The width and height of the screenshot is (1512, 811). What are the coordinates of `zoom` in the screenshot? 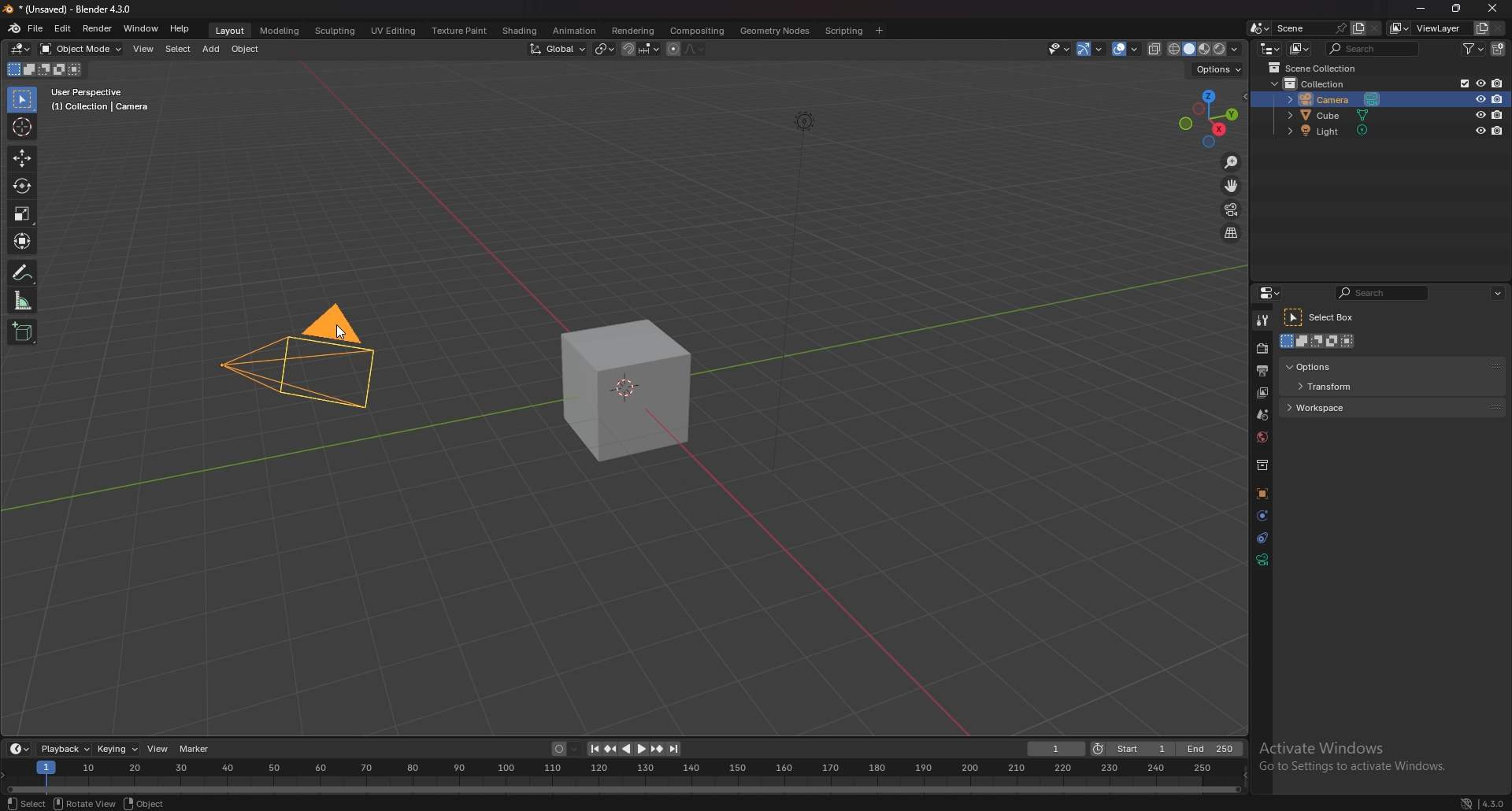 It's located at (1230, 161).